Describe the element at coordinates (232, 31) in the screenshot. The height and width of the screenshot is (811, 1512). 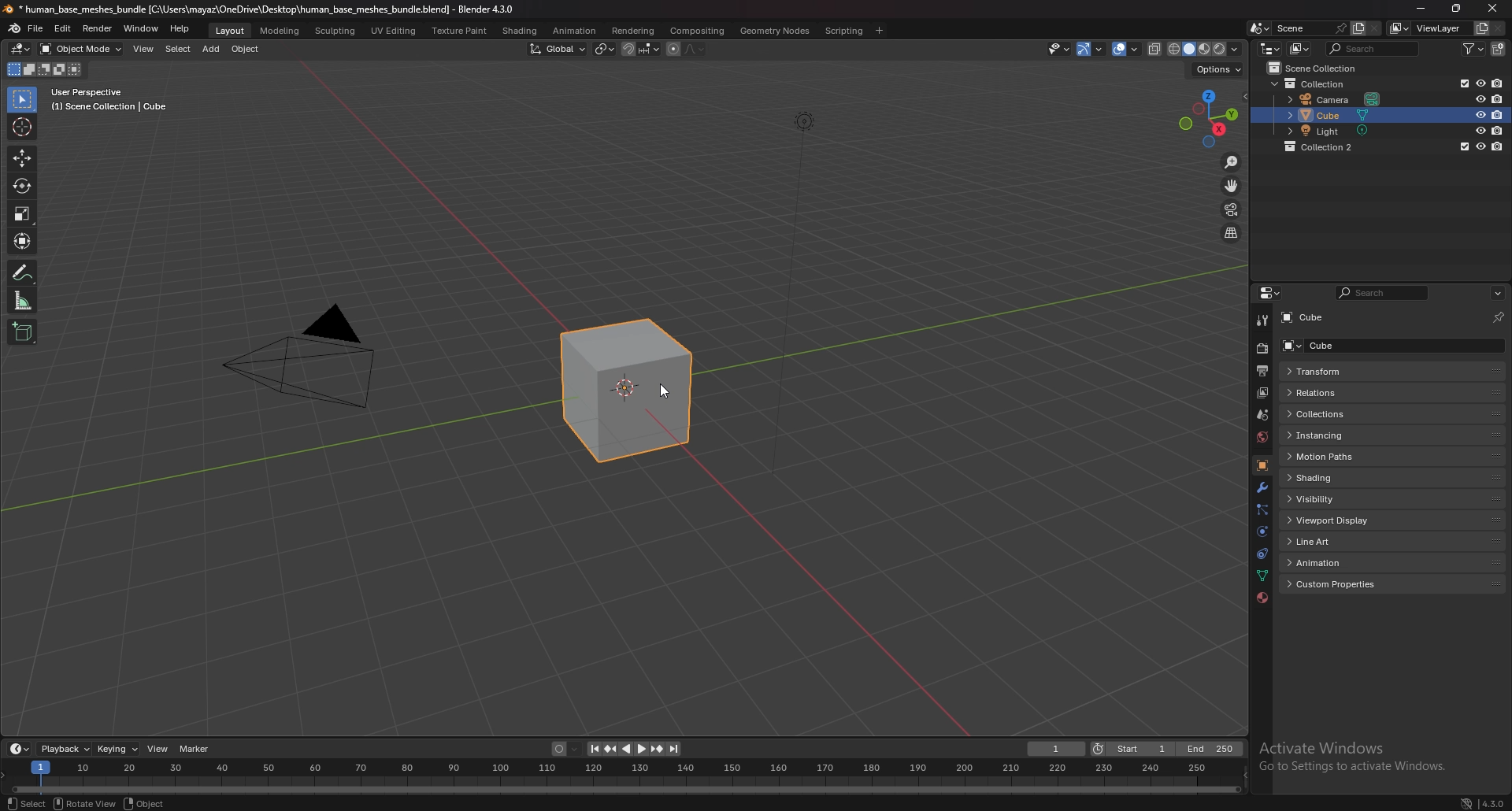
I see `layout` at that location.